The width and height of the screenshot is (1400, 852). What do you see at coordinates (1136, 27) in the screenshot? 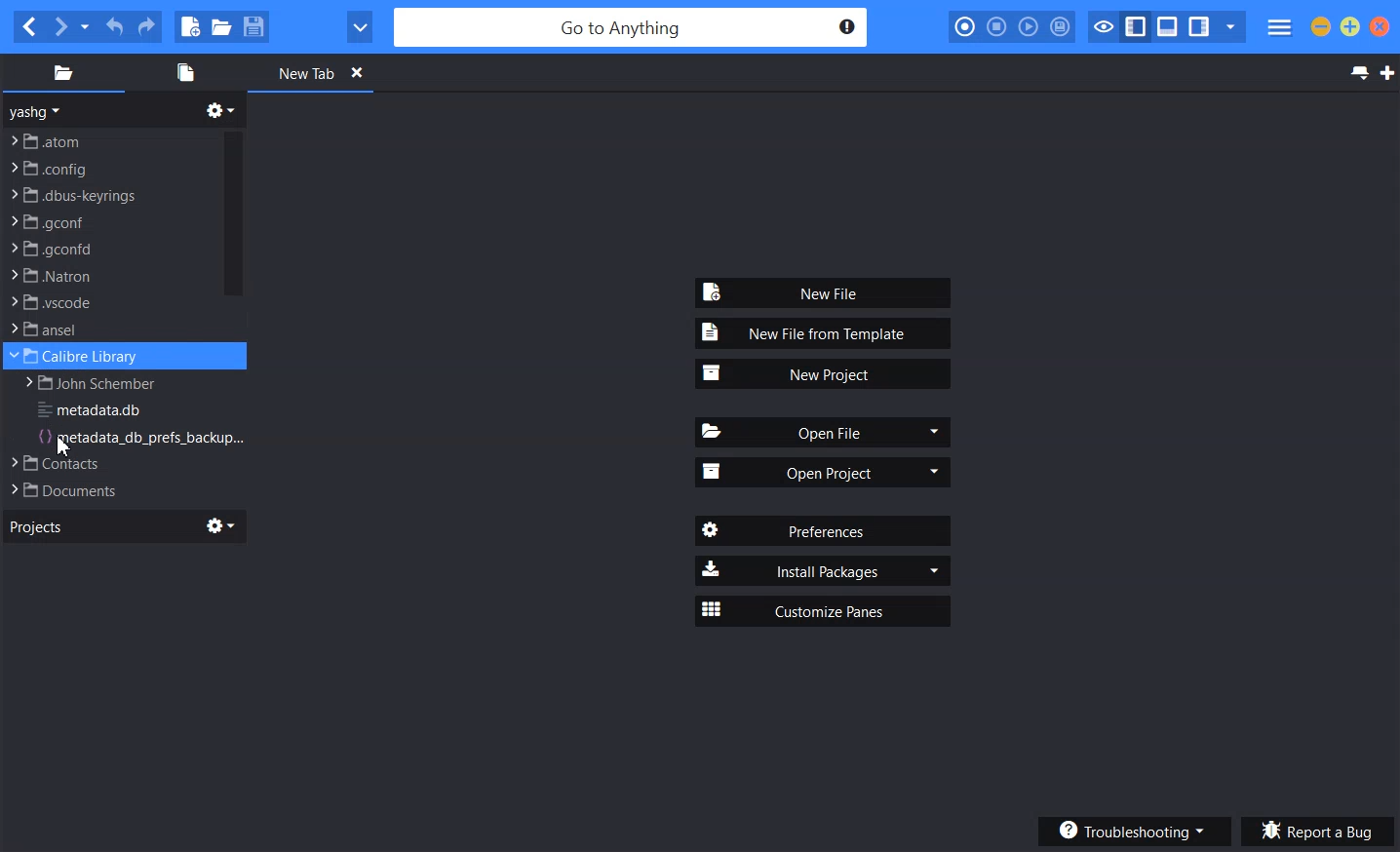
I see `Show/ Hide left pane` at bounding box center [1136, 27].